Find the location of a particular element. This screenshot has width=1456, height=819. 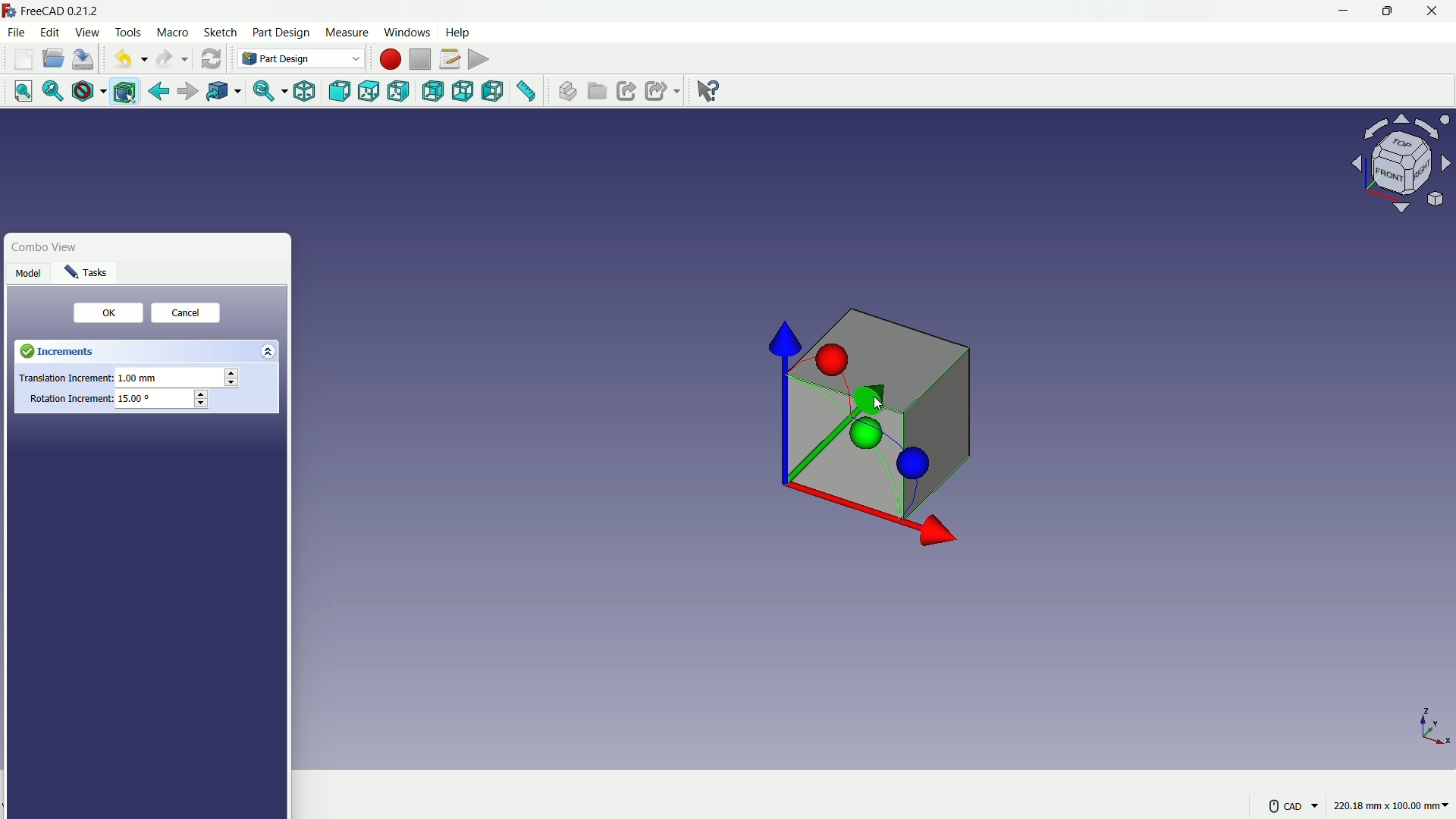

refresh is located at coordinates (211, 58).